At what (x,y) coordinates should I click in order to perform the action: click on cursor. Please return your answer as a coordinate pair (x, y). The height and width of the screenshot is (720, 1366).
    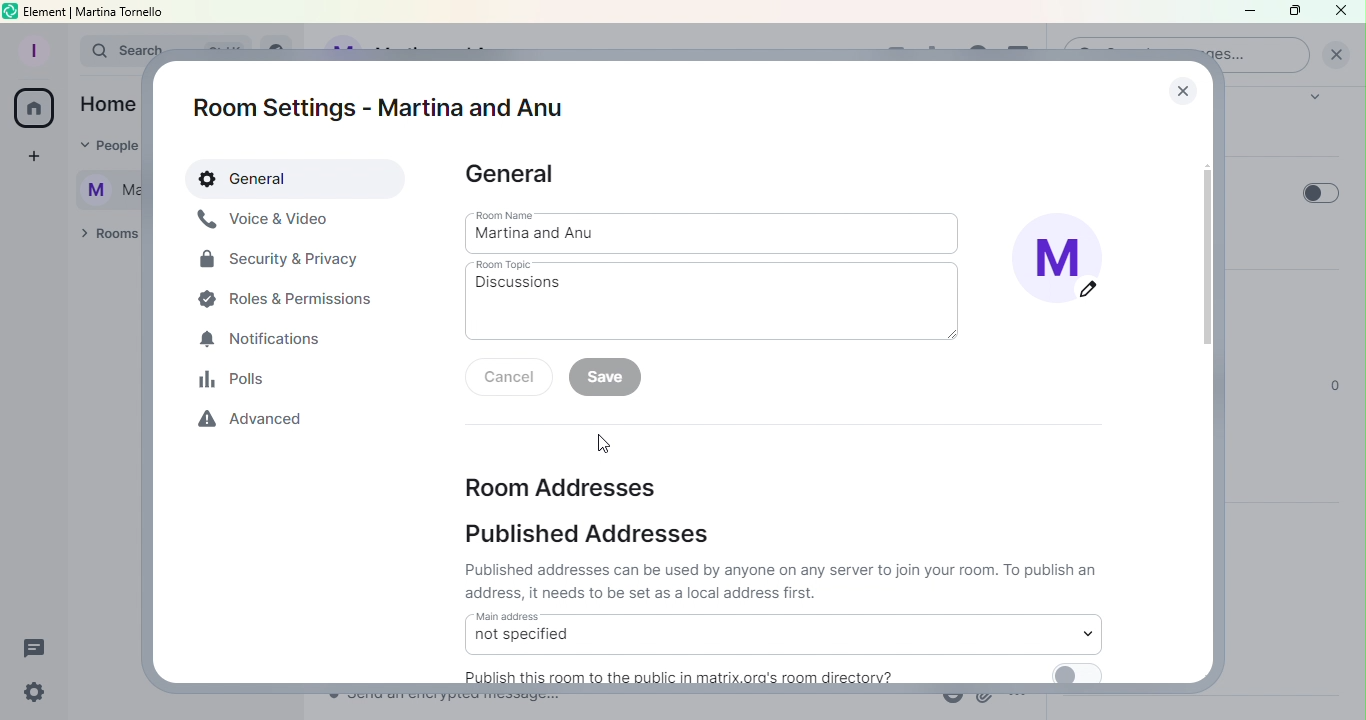
    Looking at the image, I should click on (604, 444).